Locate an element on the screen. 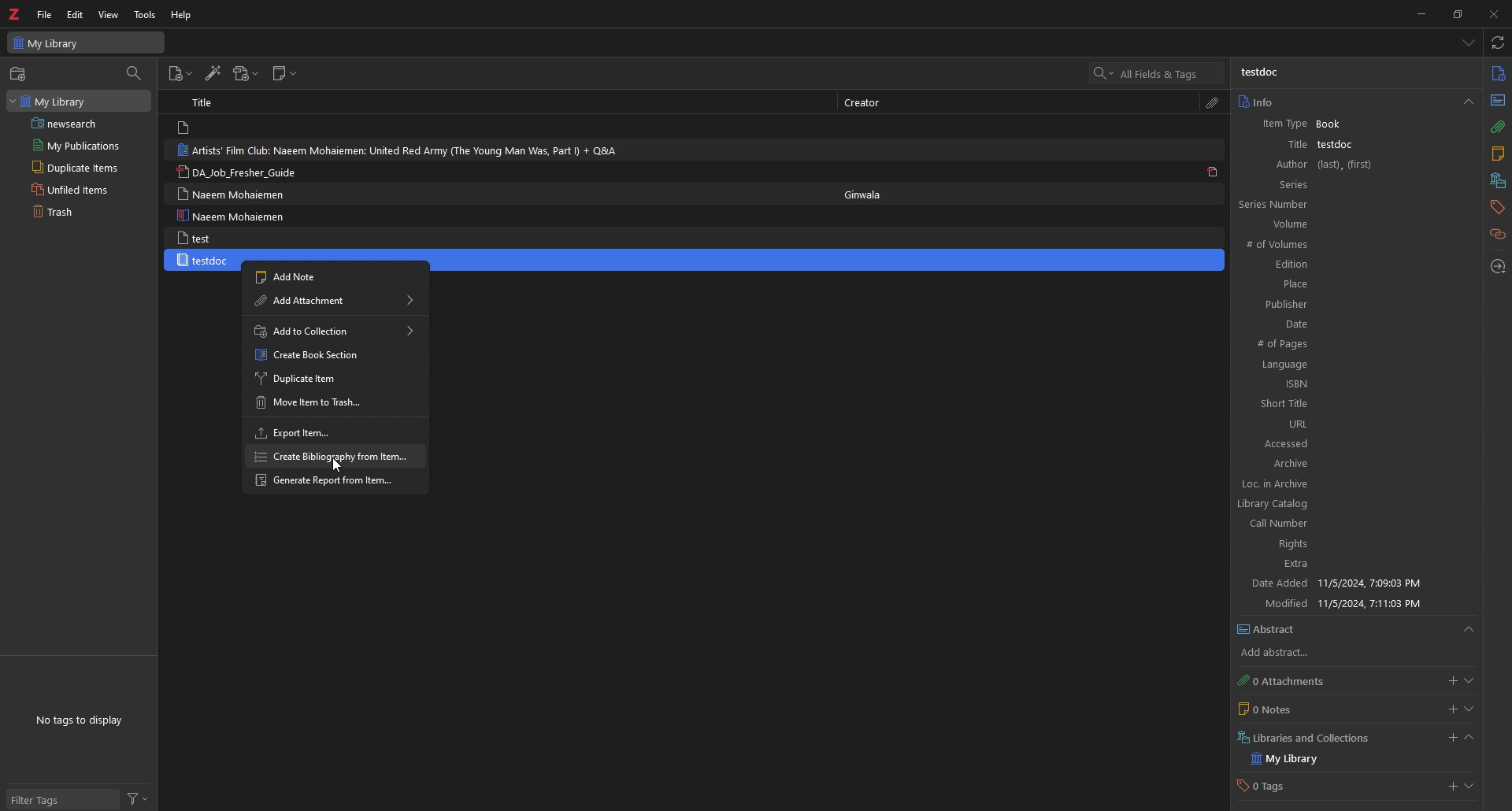 This screenshot has height=811, width=1512. list all items is located at coordinates (1469, 43).